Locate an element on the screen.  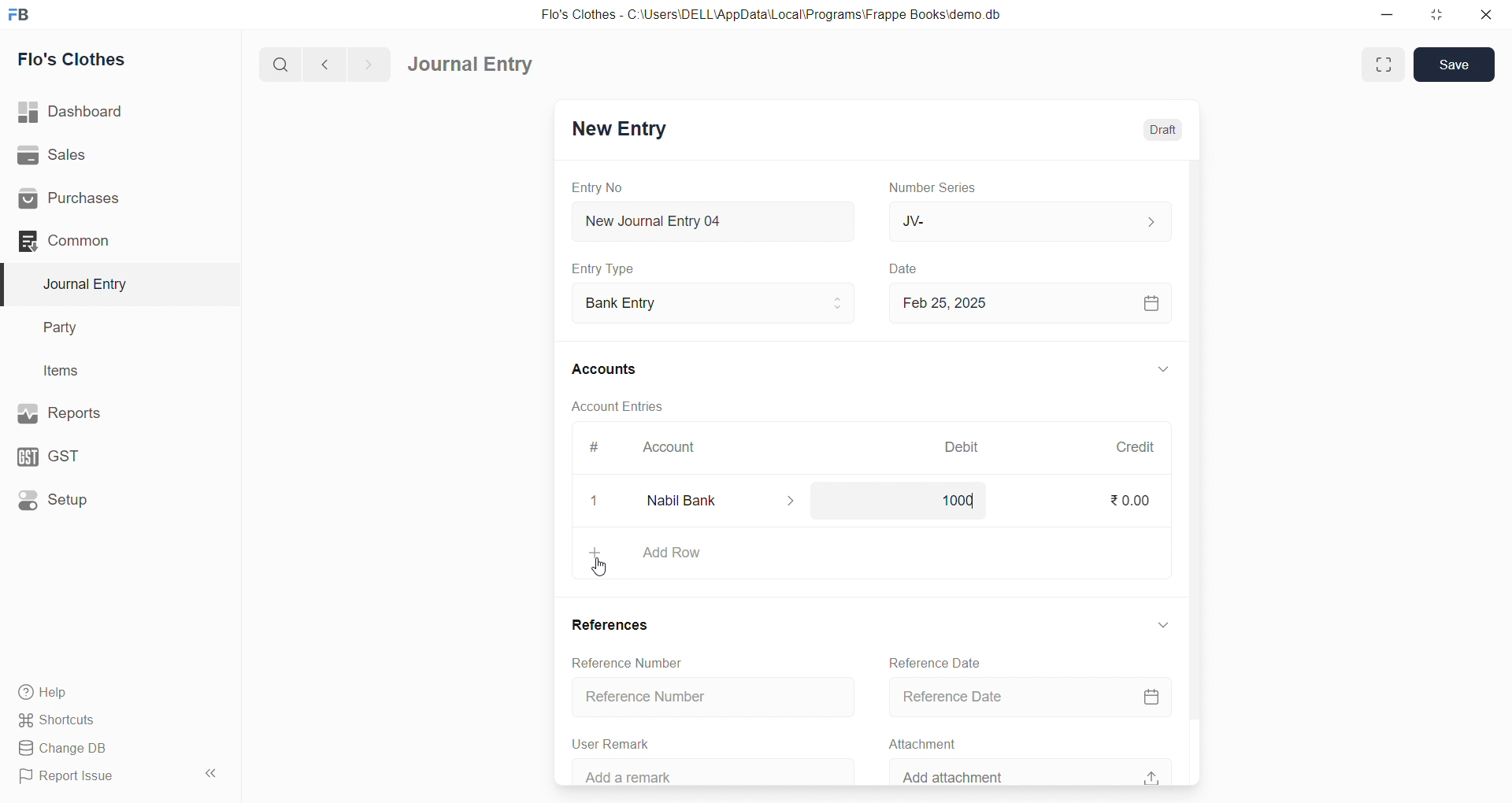
Expand Window is located at coordinates (1384, 65).